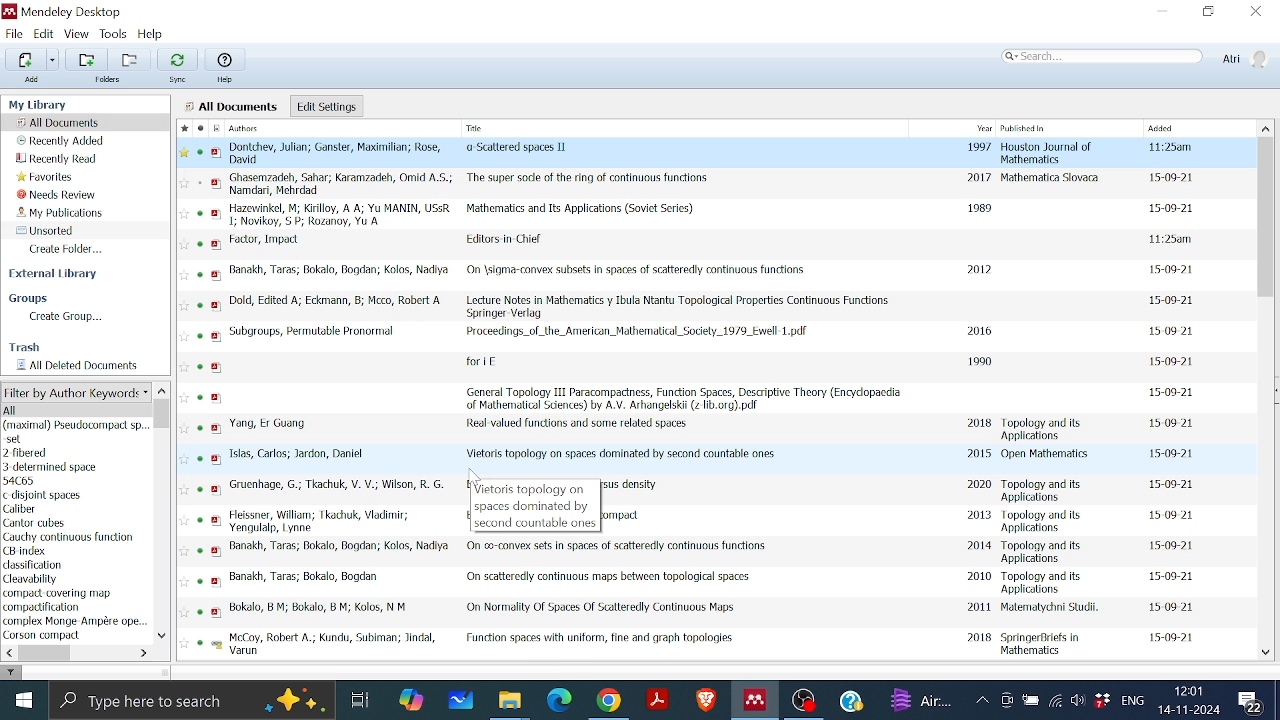 The image size is (1280, 720). What do you see at coordinates (617, 546) in the screenshot?
I see `Title` at bounding box center [617, 546].